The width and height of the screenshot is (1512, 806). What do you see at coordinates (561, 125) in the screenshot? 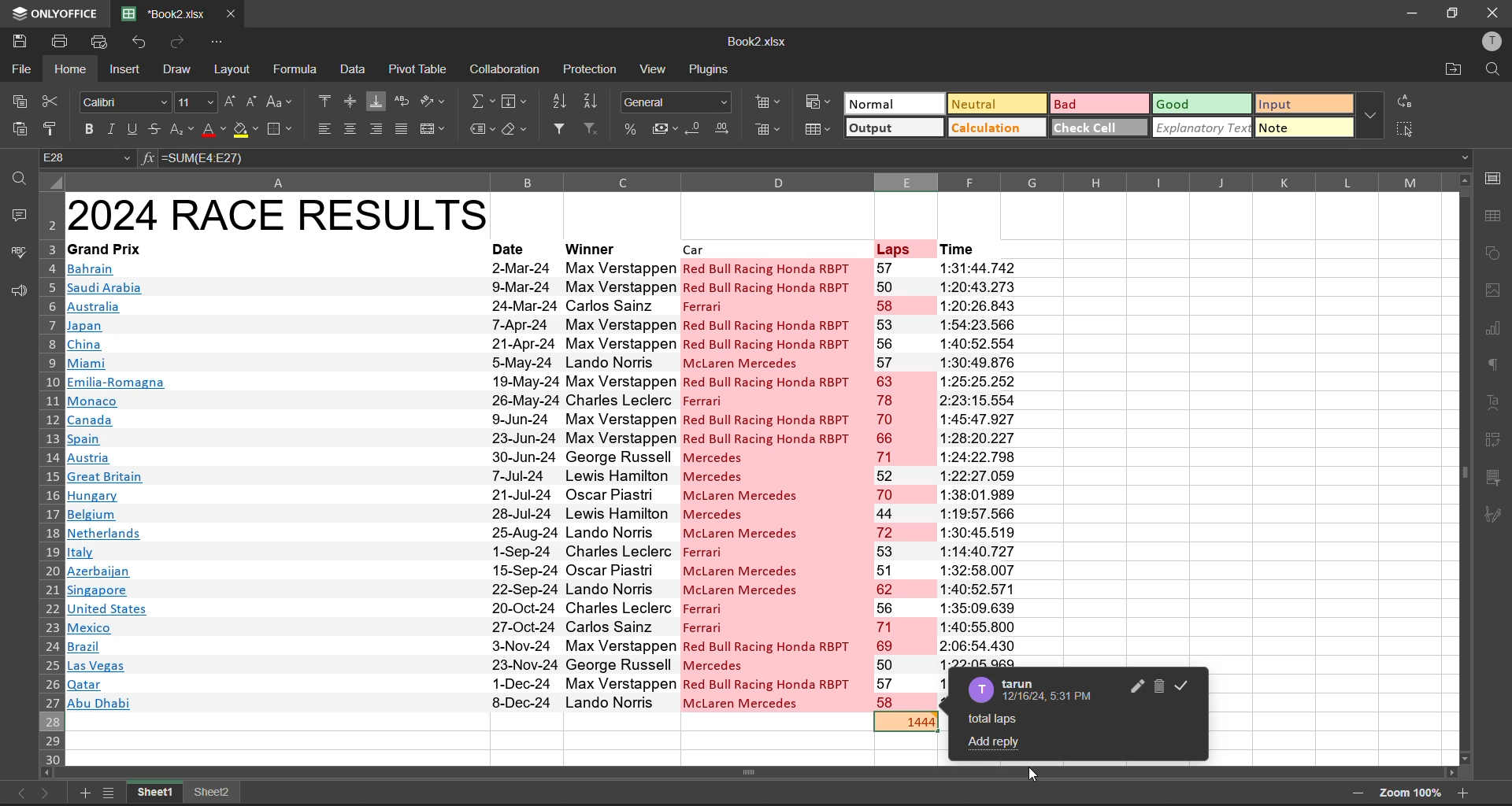
I see `filter` at bounding box center [561, 125].